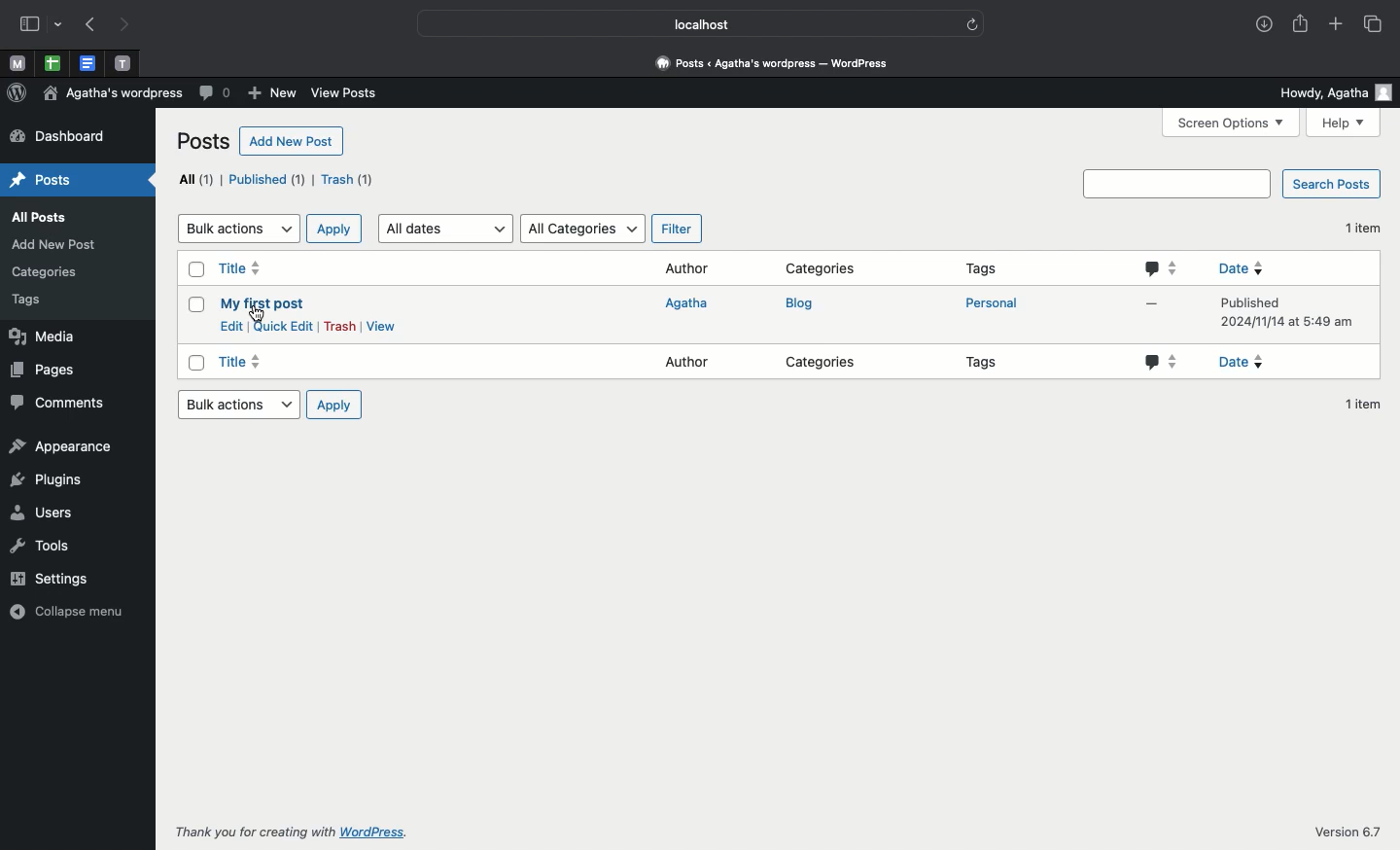  I want to click on View posts, so click(349, 91).